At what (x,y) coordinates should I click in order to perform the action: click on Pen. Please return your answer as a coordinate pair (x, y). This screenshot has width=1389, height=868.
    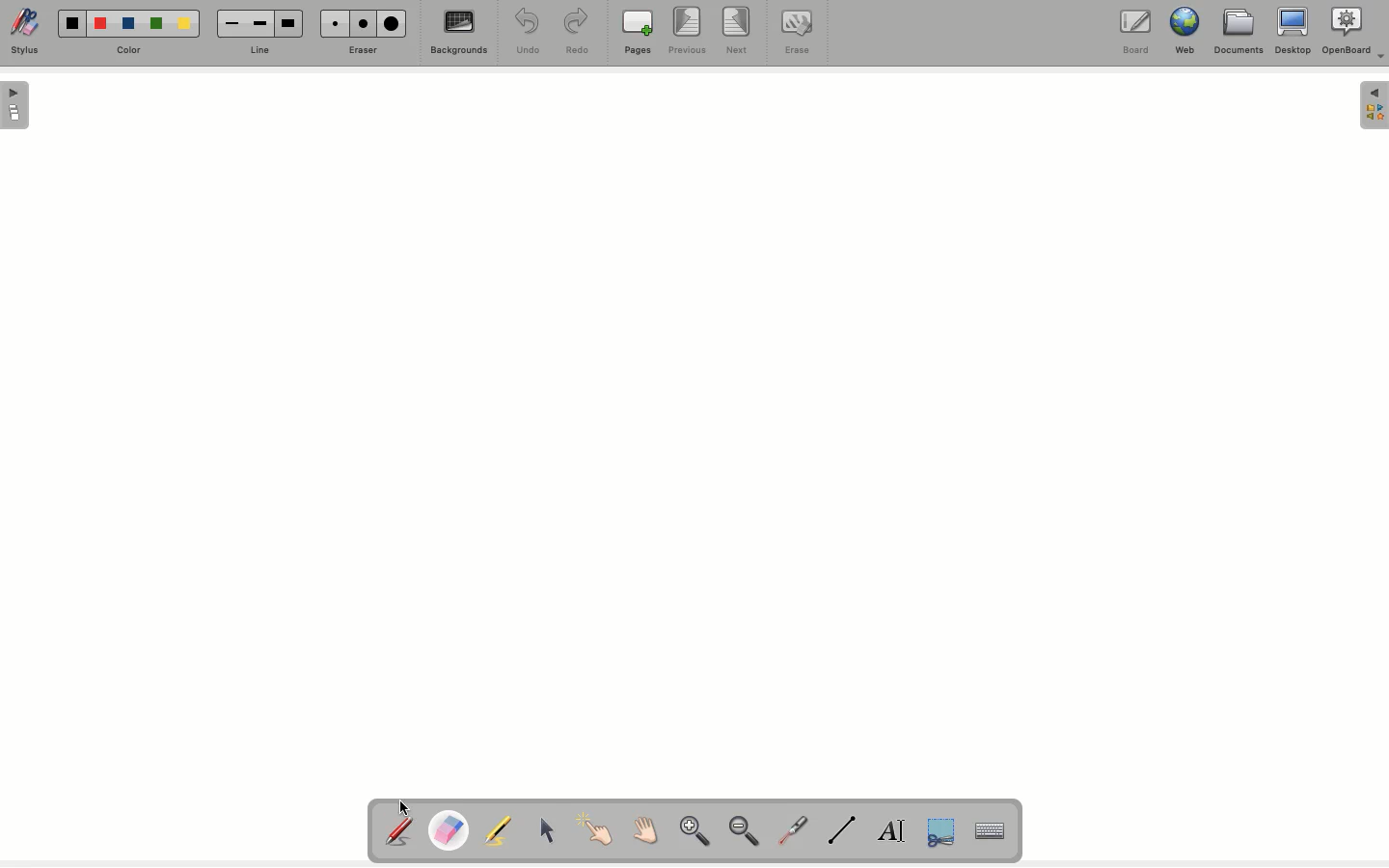
    Looking at the image, I should click on (401, 829).